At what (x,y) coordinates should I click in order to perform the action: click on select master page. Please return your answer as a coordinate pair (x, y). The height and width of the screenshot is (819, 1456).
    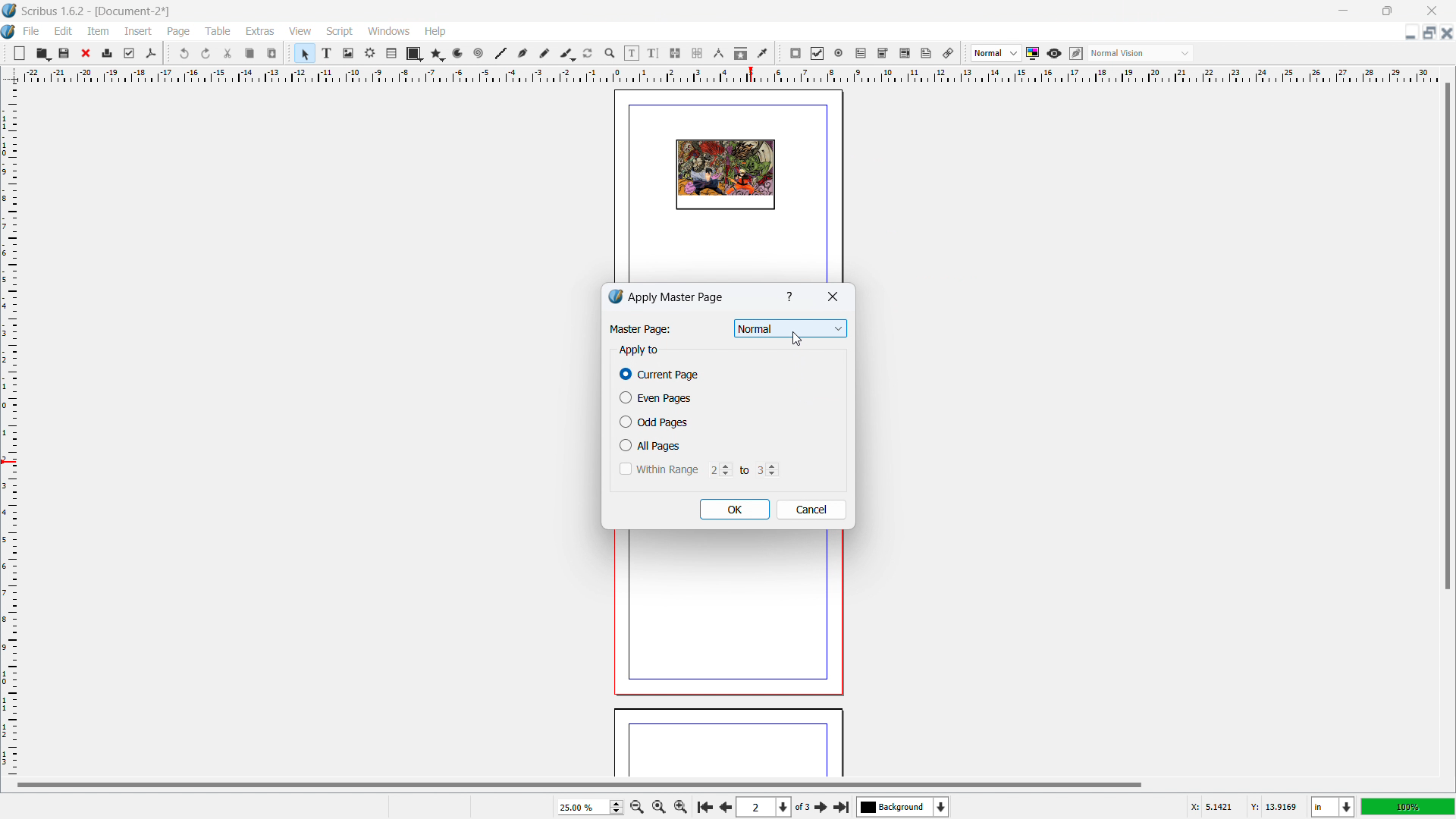
    Looking at the image, I should click on (791, 329).